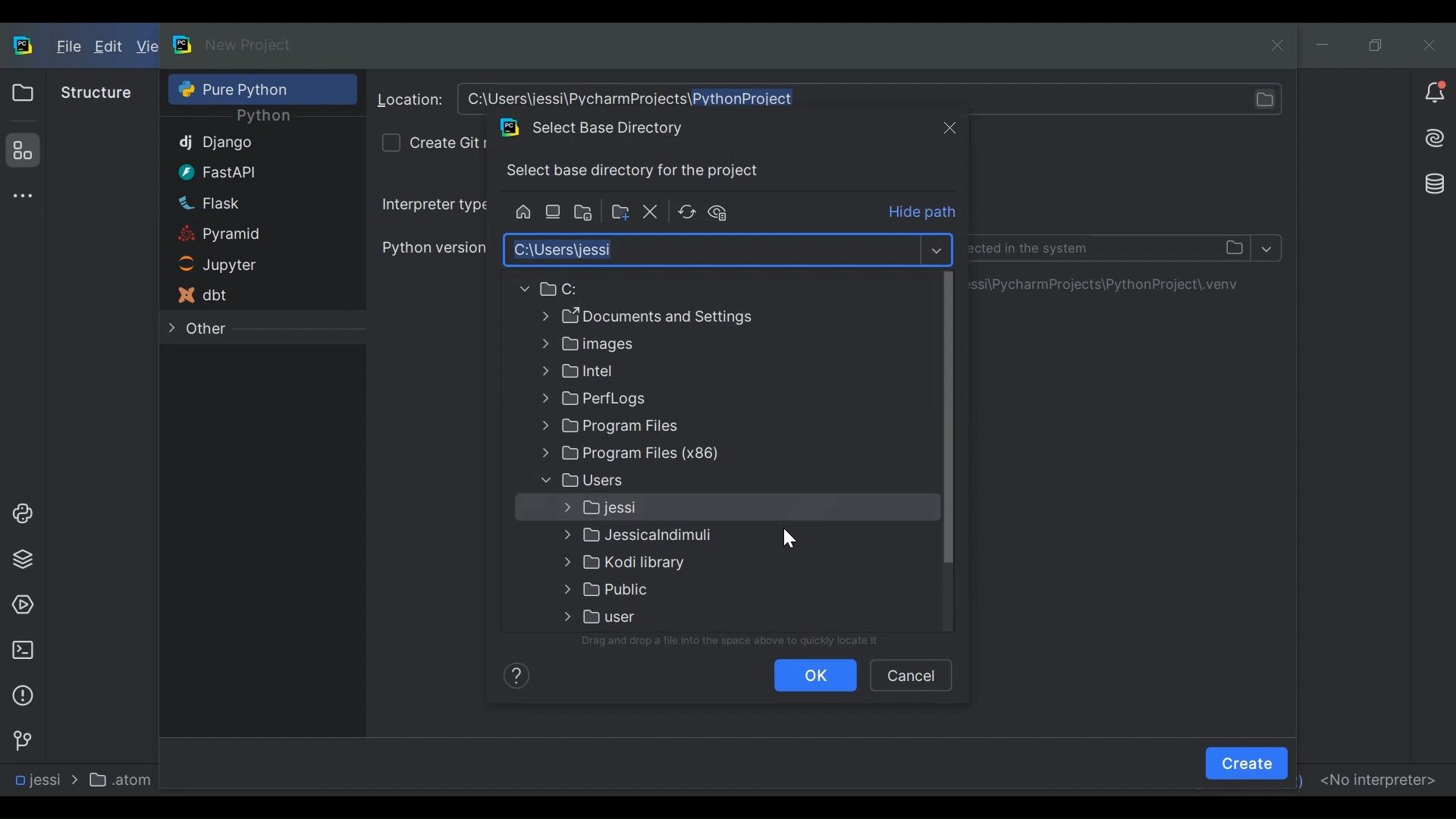  I want to click on close, so click(1281, 44).